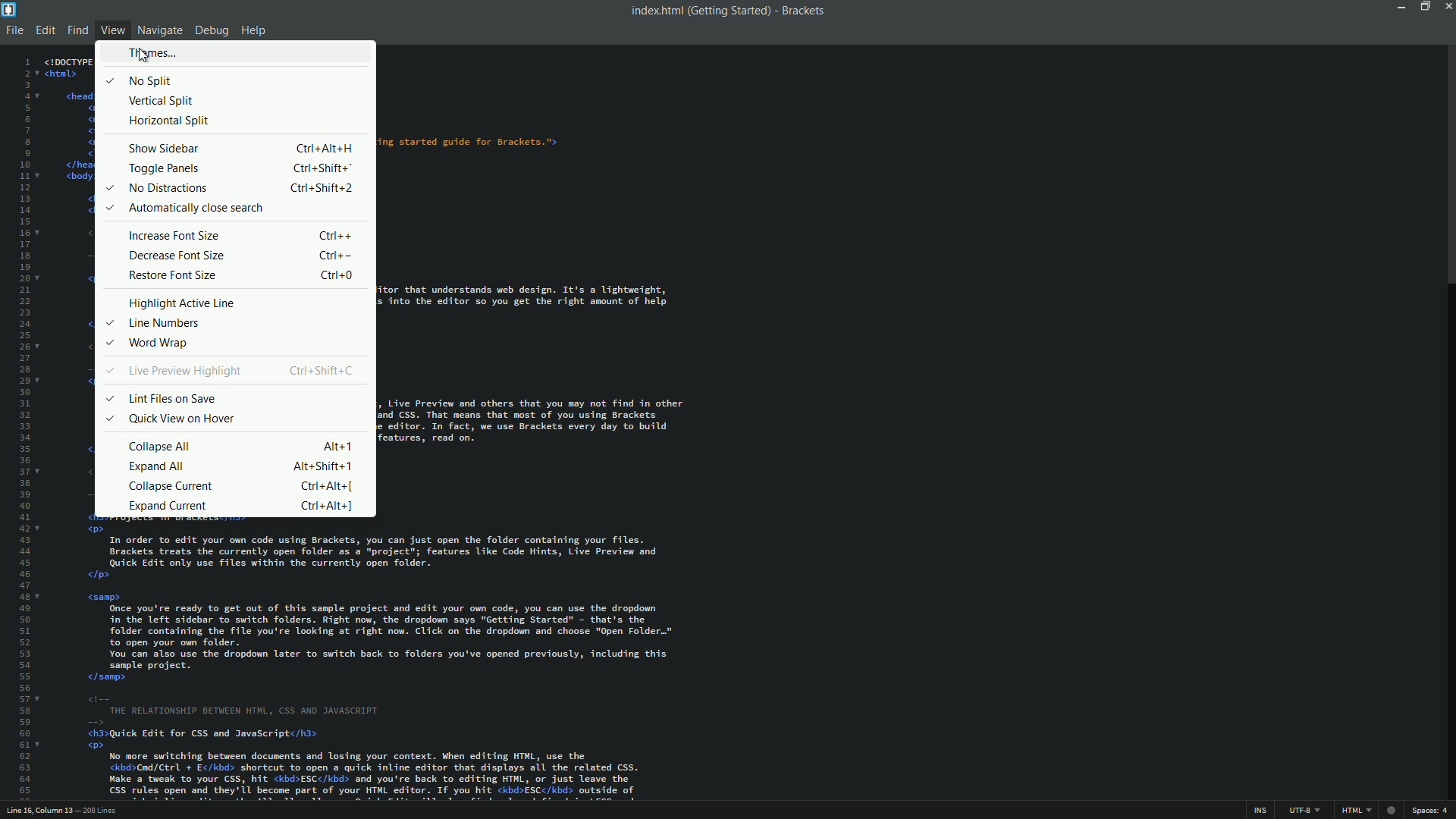 The height and width of the screenshot is (819, 1456). Describe the element at coordinates (326, 506) in the screenshot. I see `keyboard shortcut` at that location.